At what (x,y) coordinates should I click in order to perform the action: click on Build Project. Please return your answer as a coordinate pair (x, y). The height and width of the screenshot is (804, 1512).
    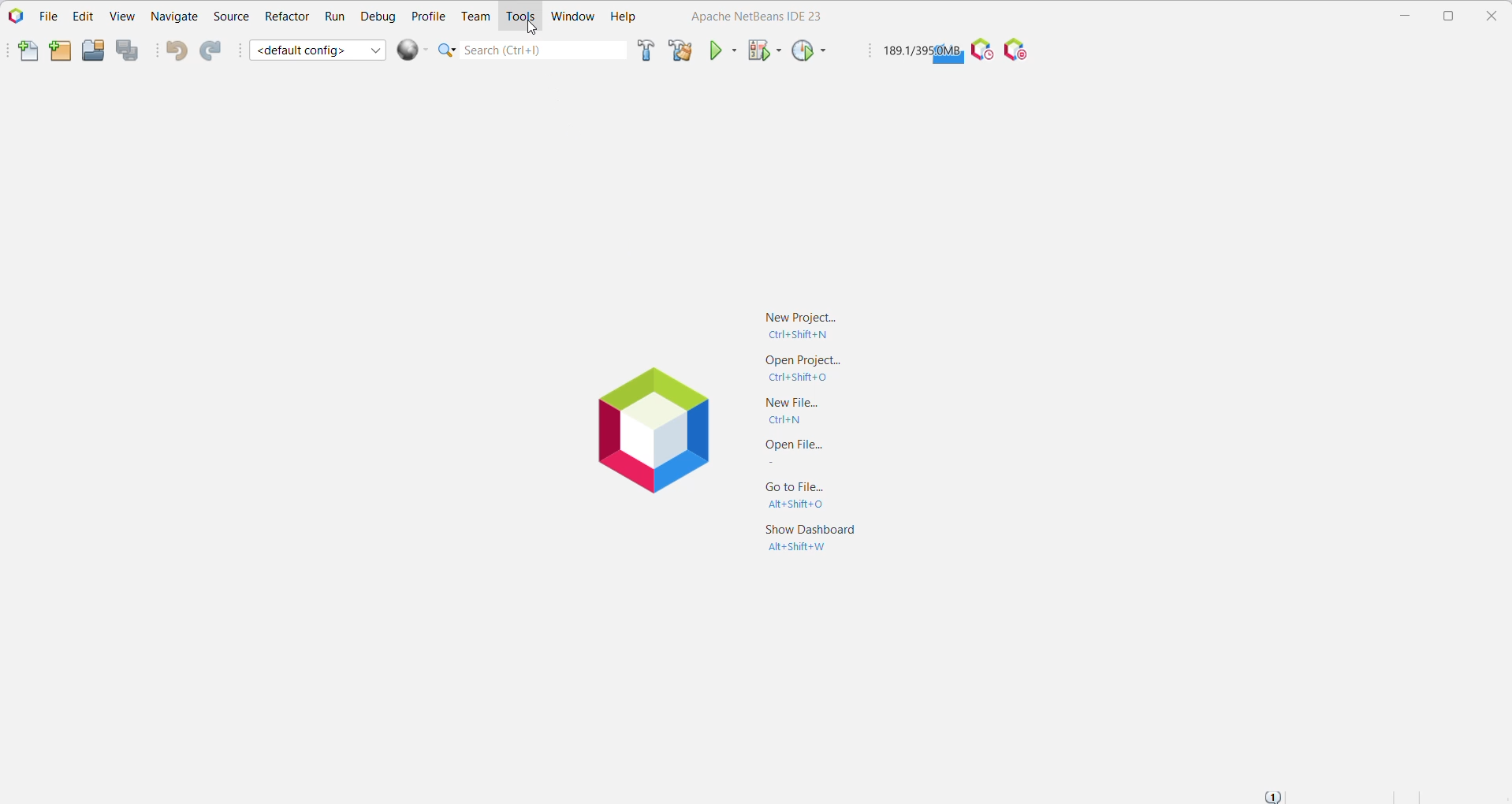
    Looking at the image, I should click on (644, 52).